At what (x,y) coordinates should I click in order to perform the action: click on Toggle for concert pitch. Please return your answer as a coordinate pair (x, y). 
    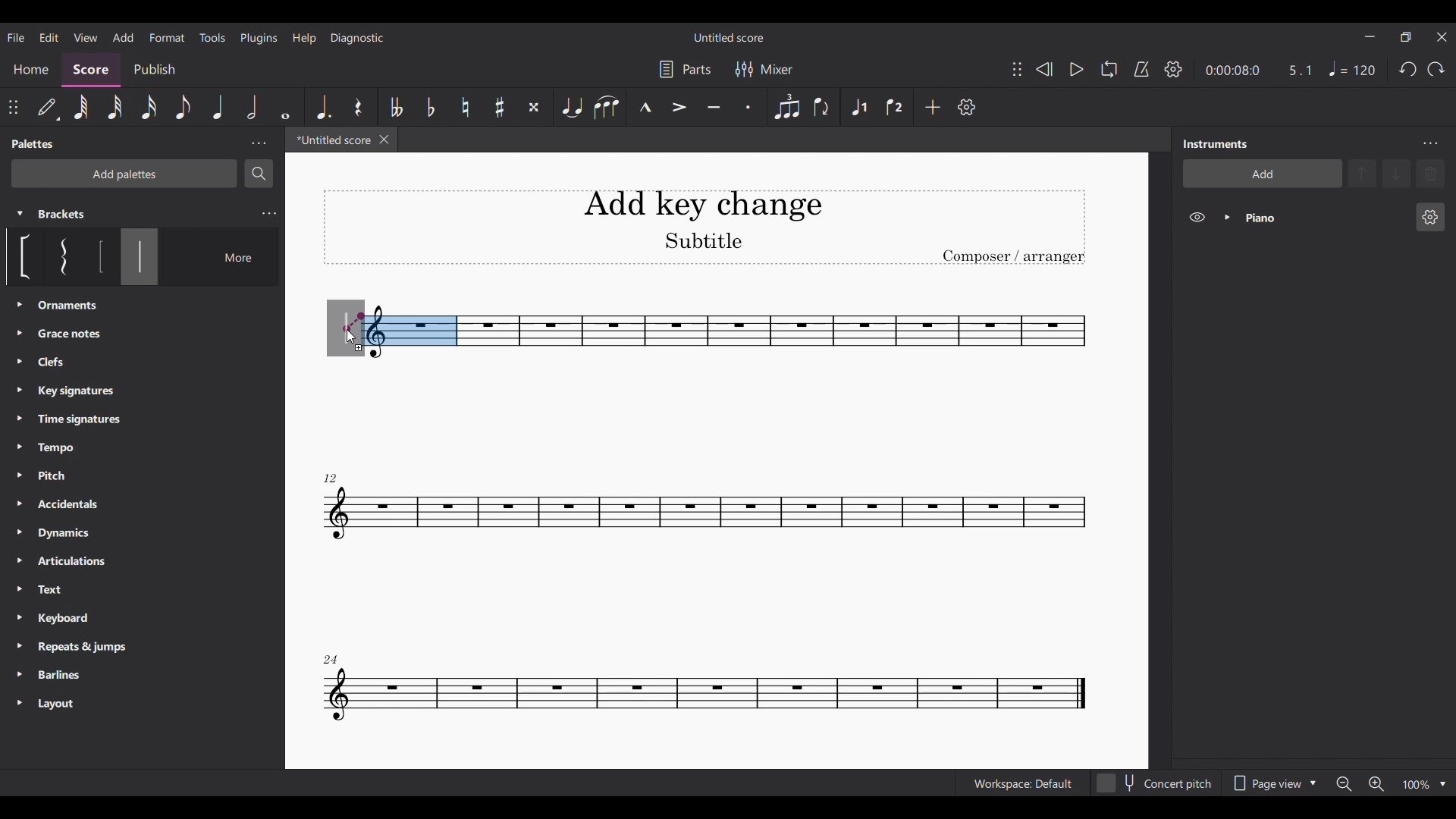
    Looking at the image, I should click on (1154, 783).